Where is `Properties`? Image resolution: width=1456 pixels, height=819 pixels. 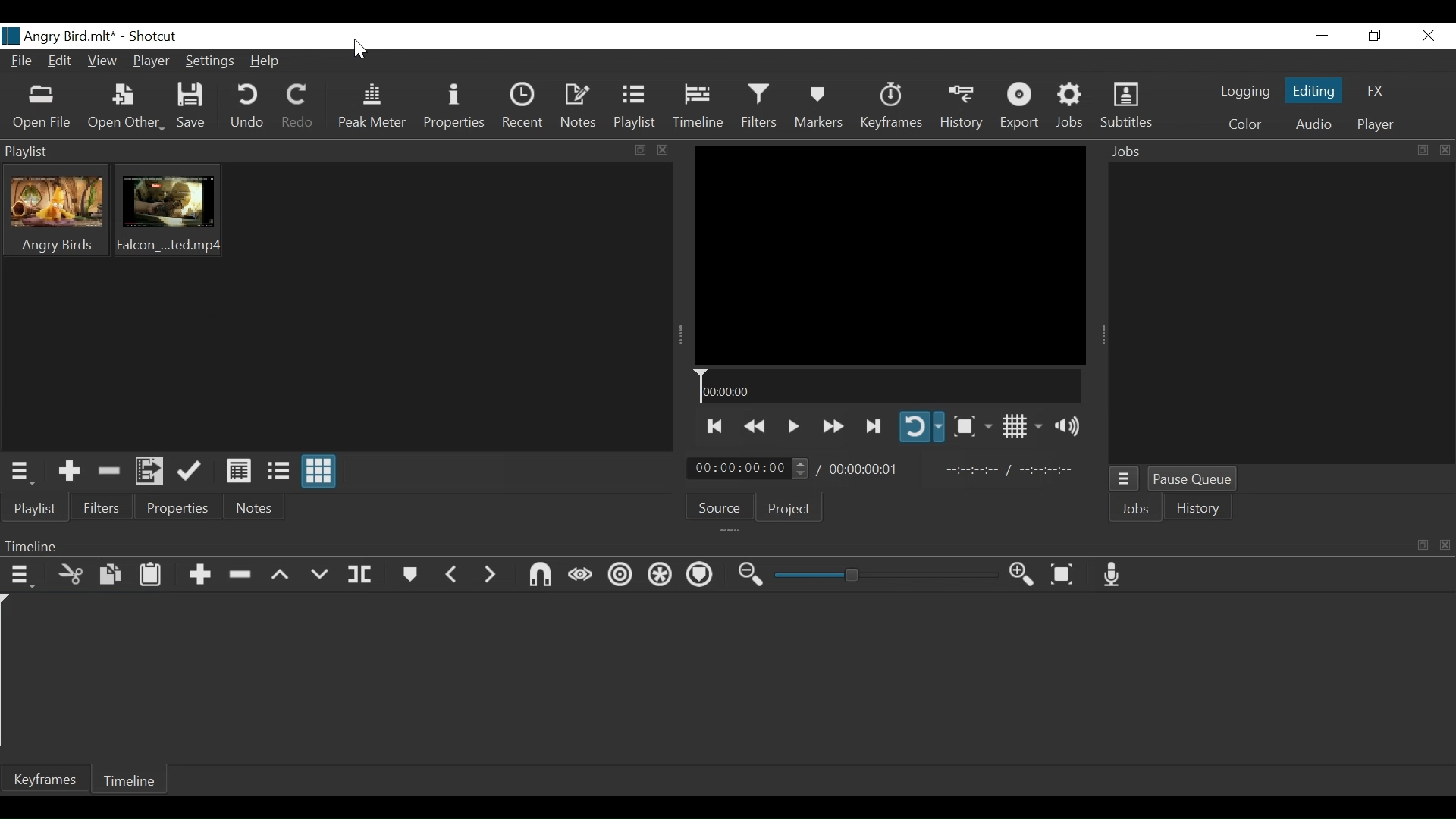
Properties is located at coordinates (181, 508).